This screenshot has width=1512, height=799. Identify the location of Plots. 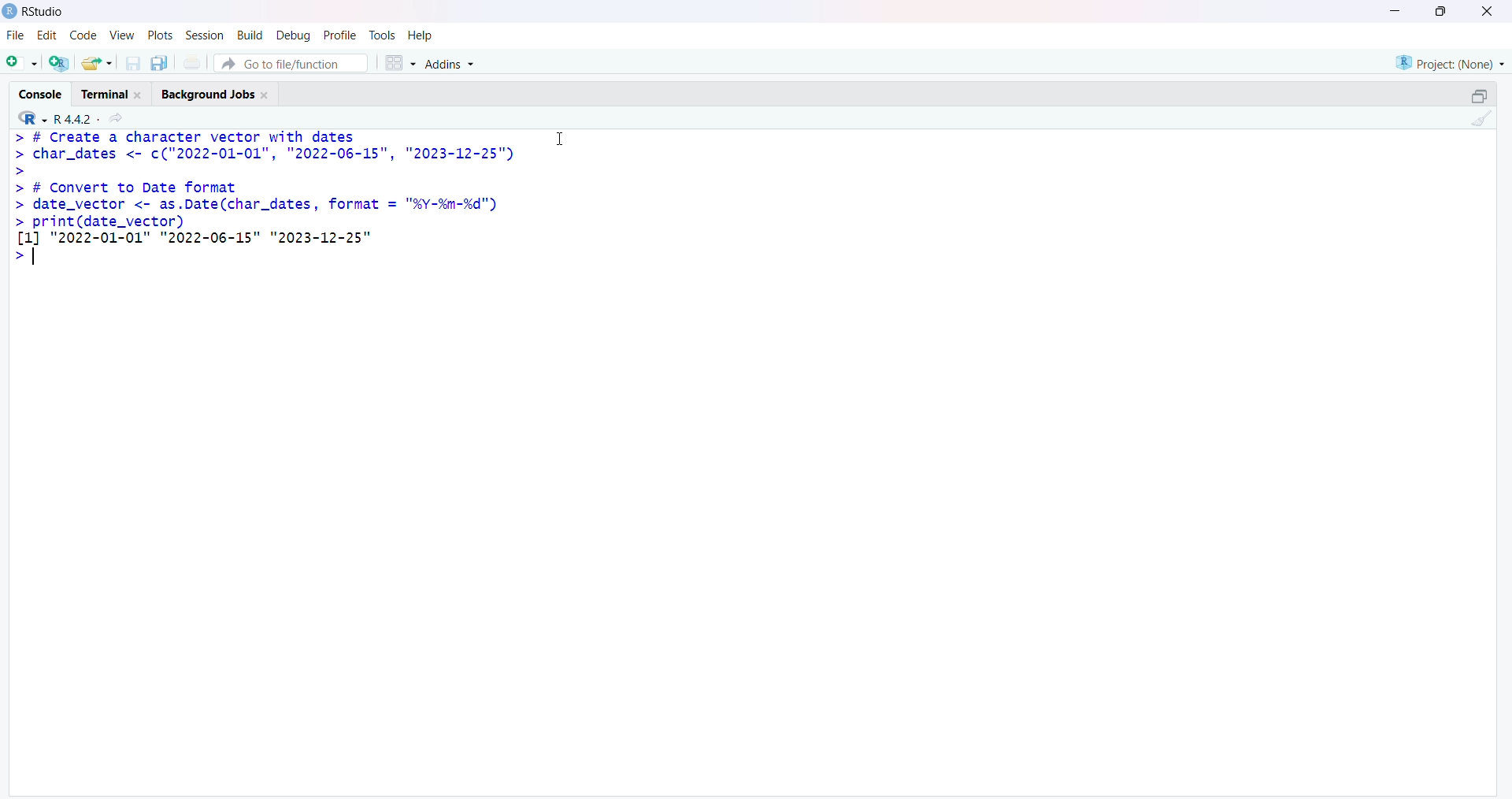
(158, 35).